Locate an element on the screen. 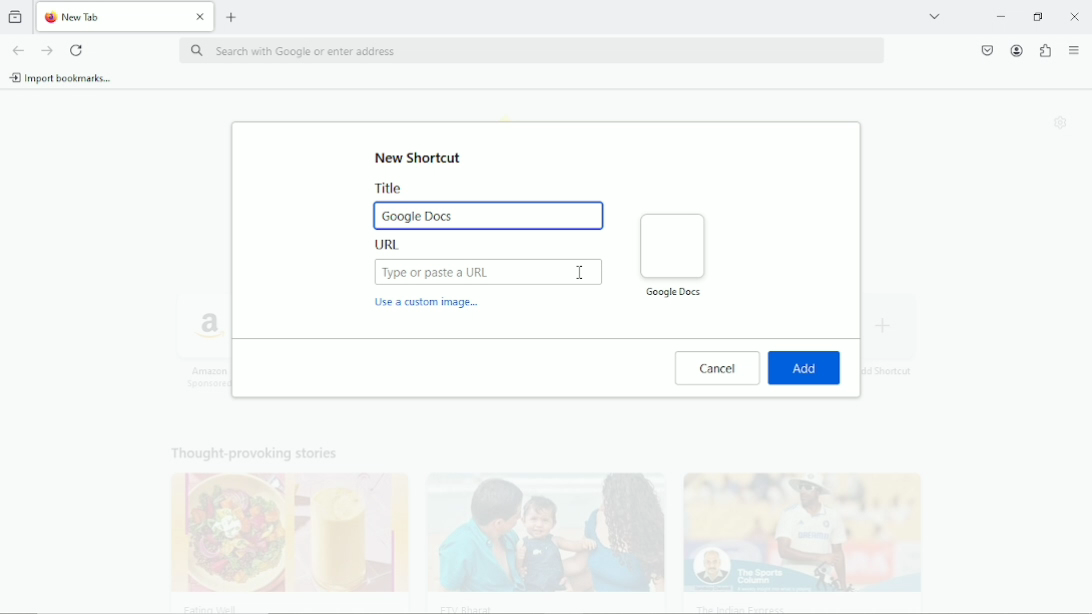 The image size is (1092, 614). reload current page is located at coordinates (77, 50).